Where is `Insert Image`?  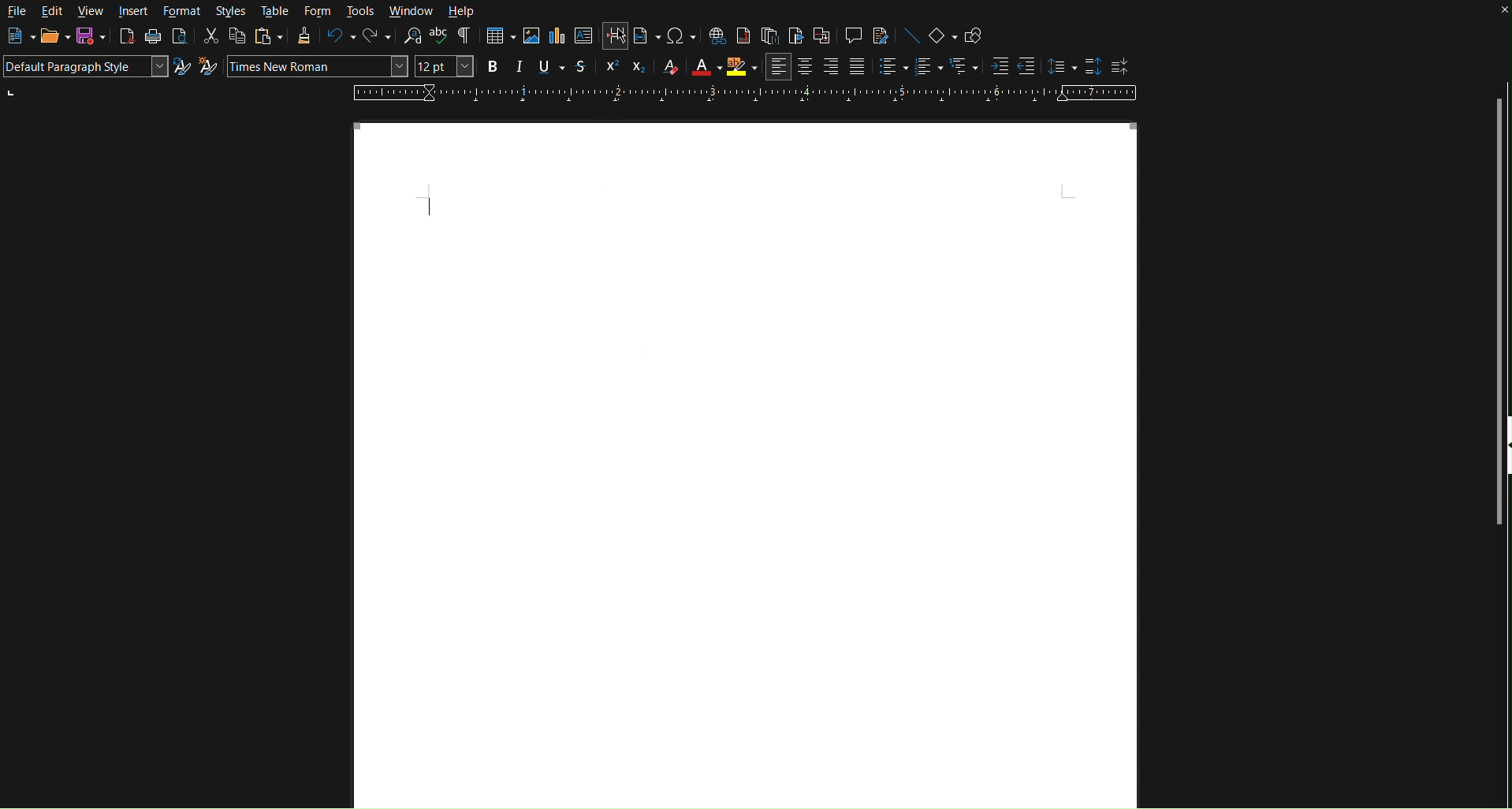 Insert Image is located at coordinates (531, 38).